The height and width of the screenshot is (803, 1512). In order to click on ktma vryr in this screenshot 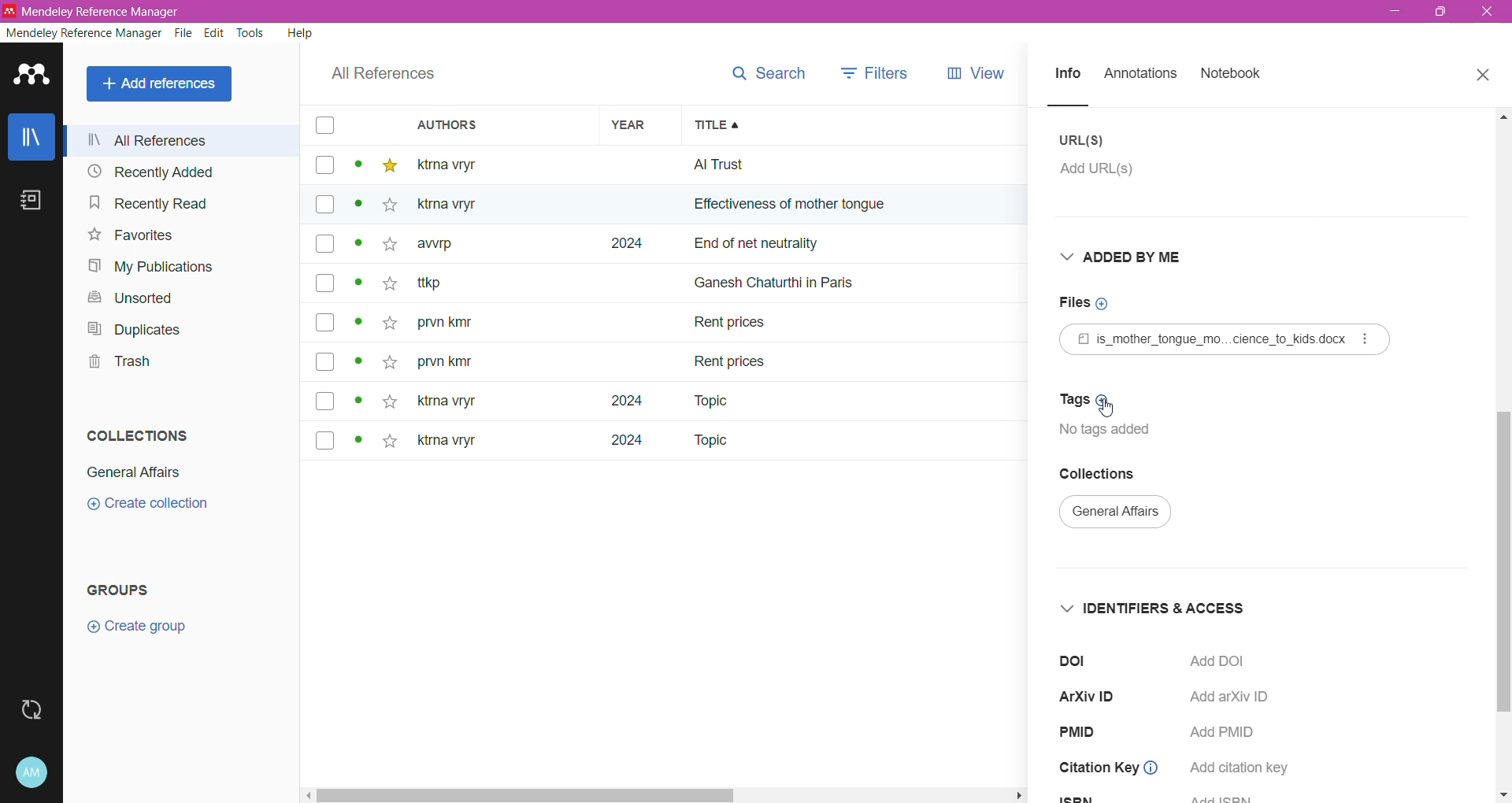, I will do `click(447, 444)`.